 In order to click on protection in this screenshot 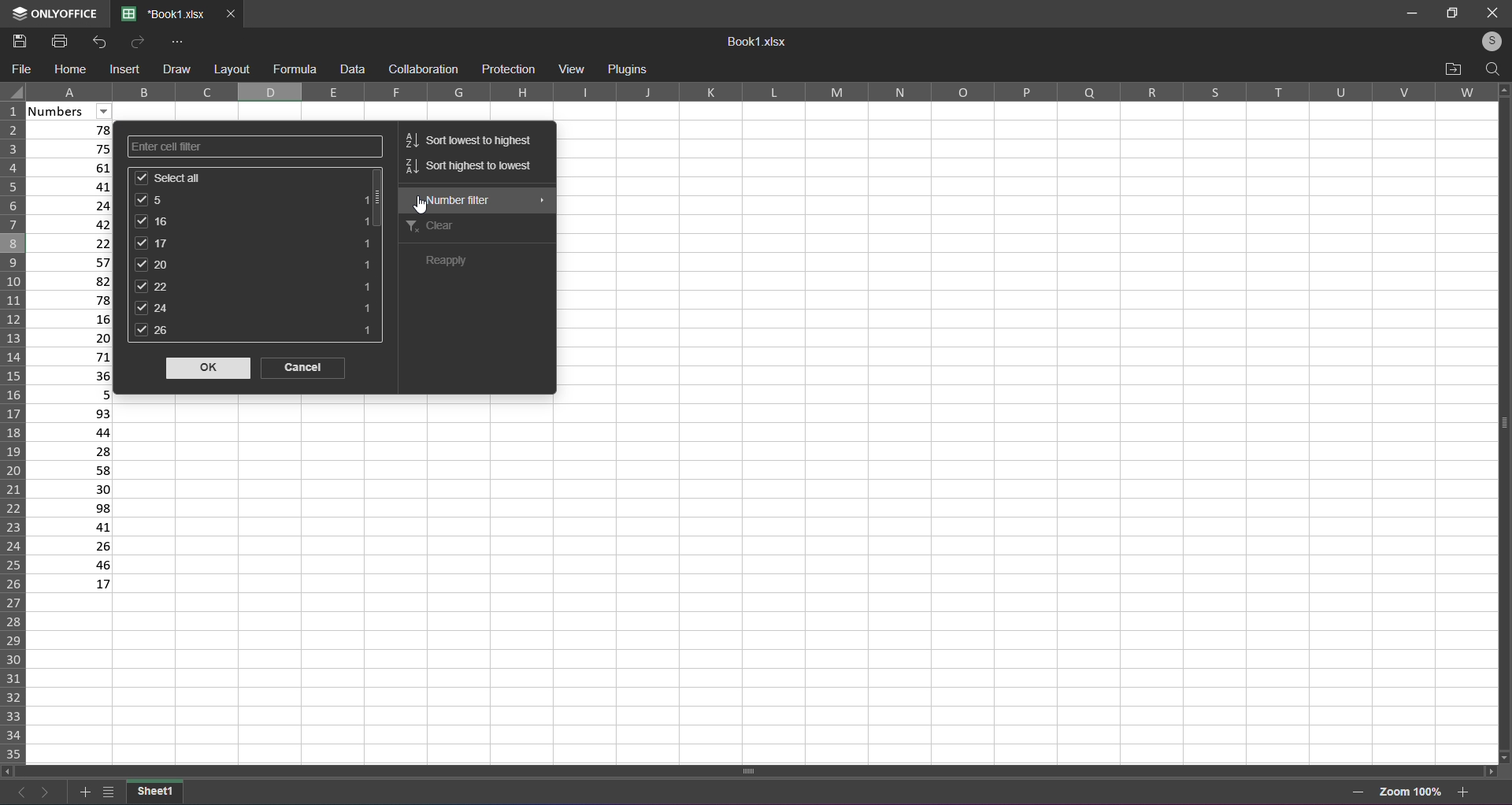, I will do `click(509, 69)`.